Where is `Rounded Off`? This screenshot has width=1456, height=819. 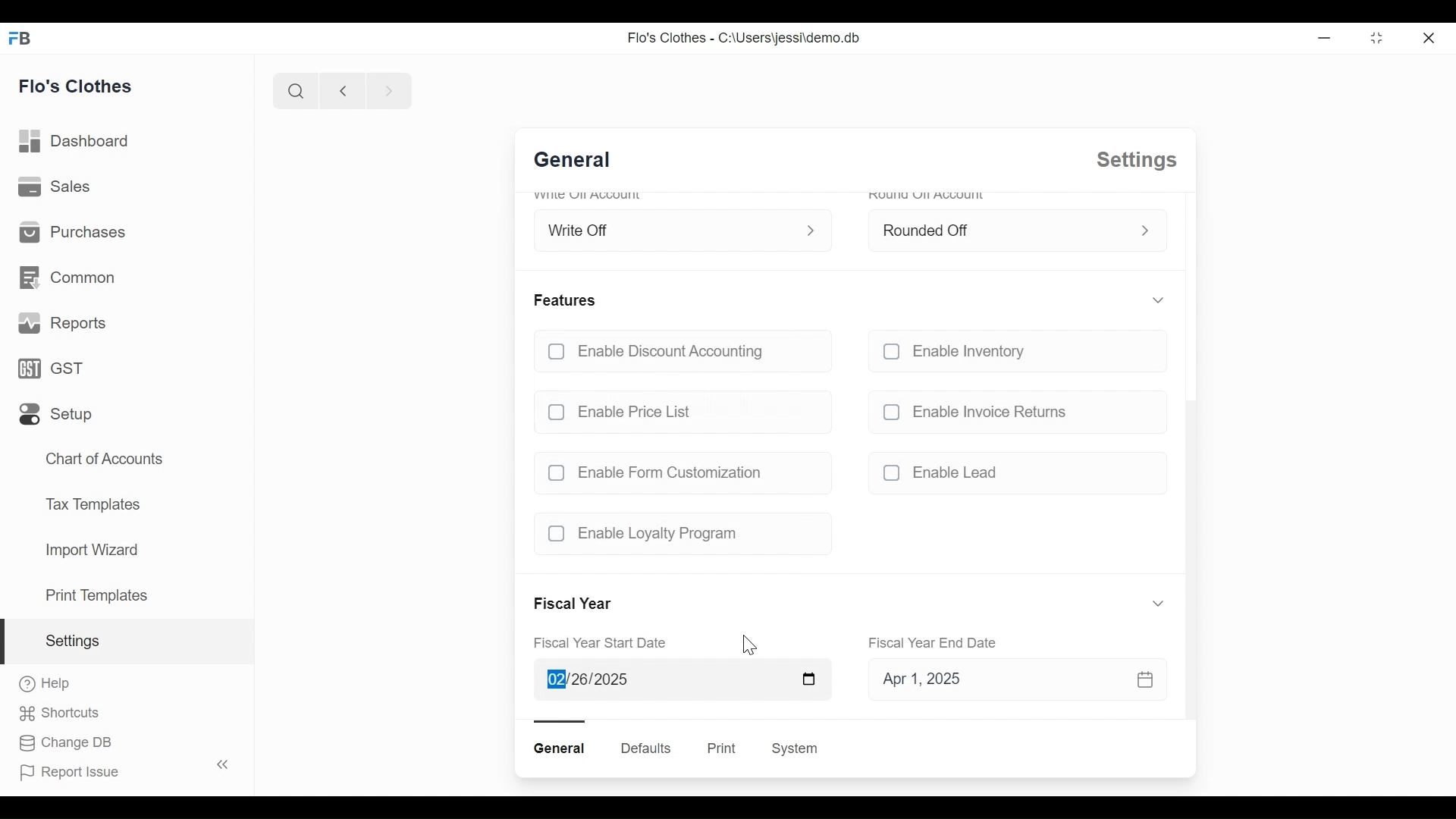
Rounded Off is located at coordinates (999, 228).